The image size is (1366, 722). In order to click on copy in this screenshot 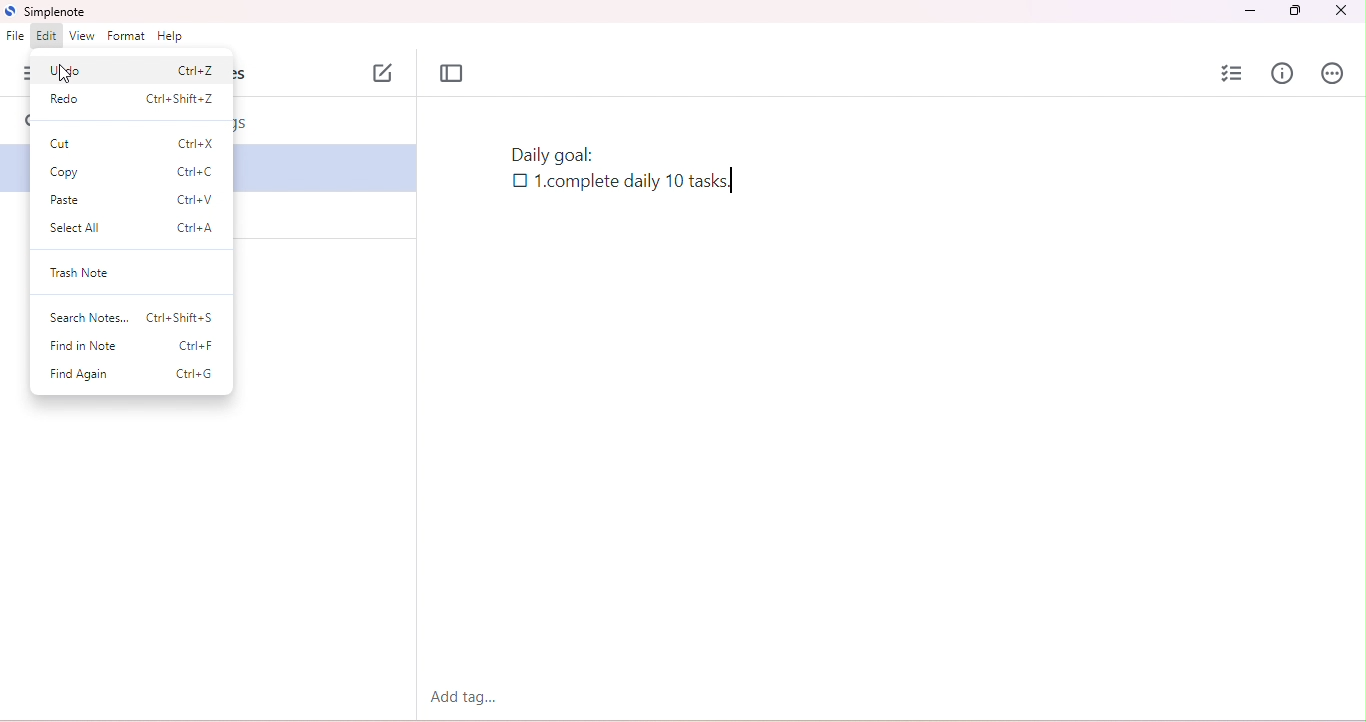, I will do `click(129, 173)`.